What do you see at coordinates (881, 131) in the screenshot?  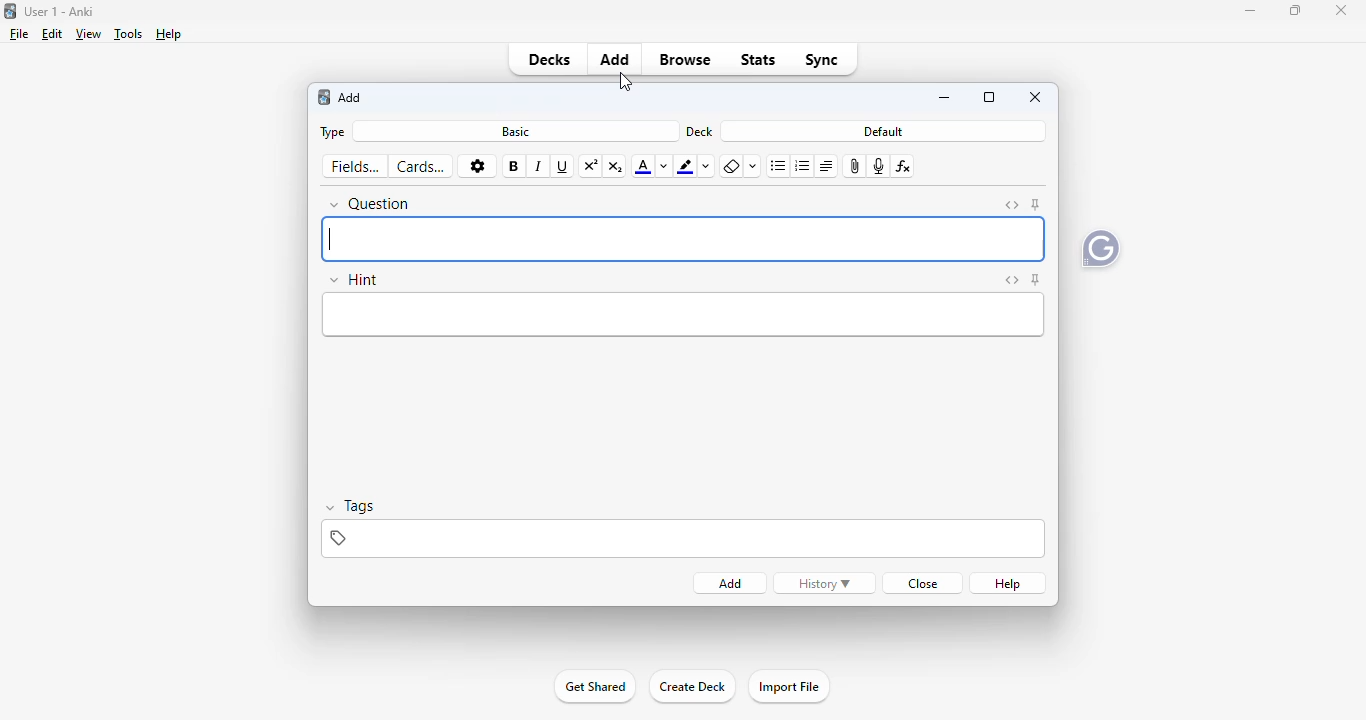 I see `default` at bounding box center [881, 131].